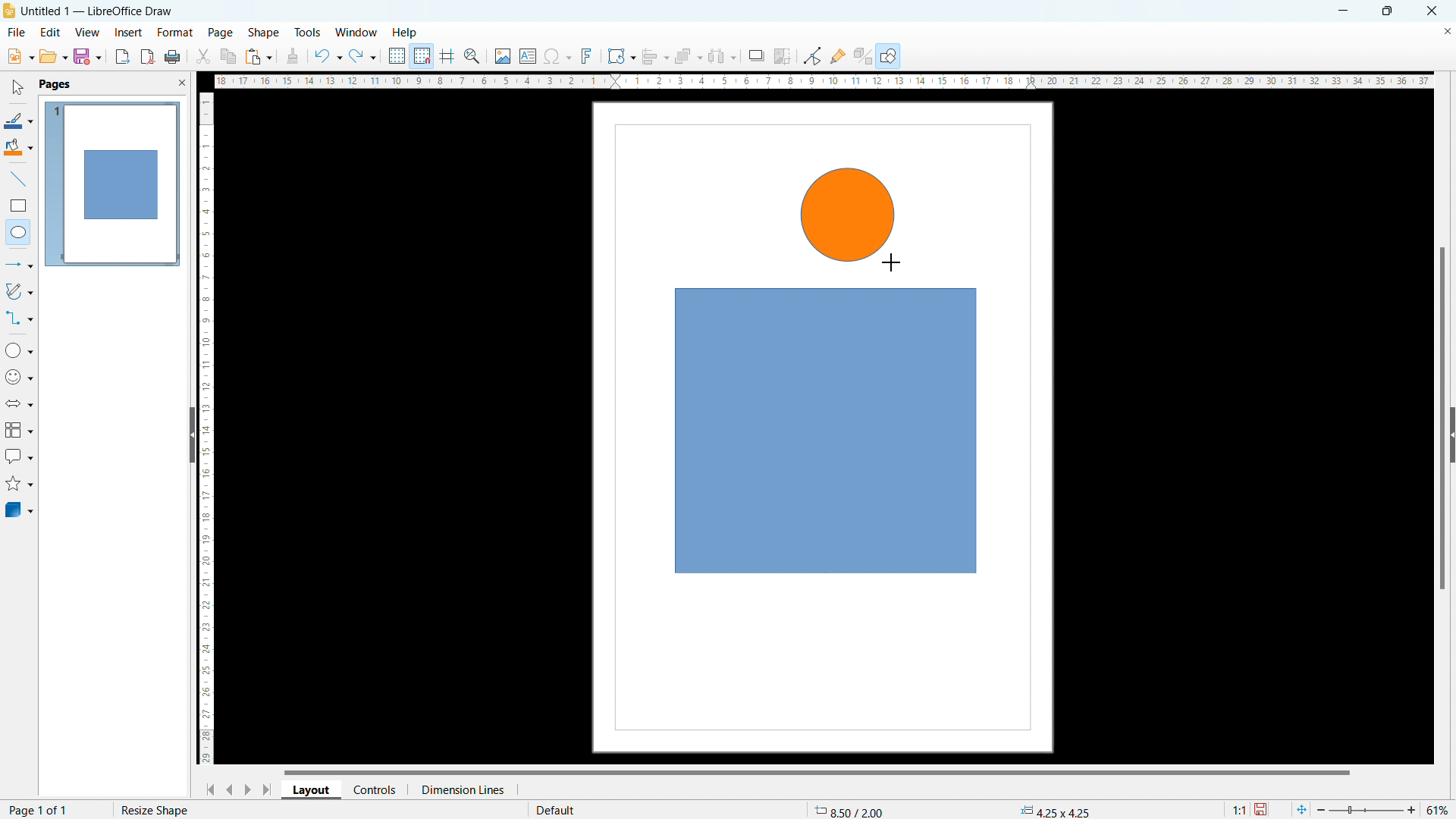 The height and width of the screenshot is (819, 1456). I want to click on align object, so click(654, 56).